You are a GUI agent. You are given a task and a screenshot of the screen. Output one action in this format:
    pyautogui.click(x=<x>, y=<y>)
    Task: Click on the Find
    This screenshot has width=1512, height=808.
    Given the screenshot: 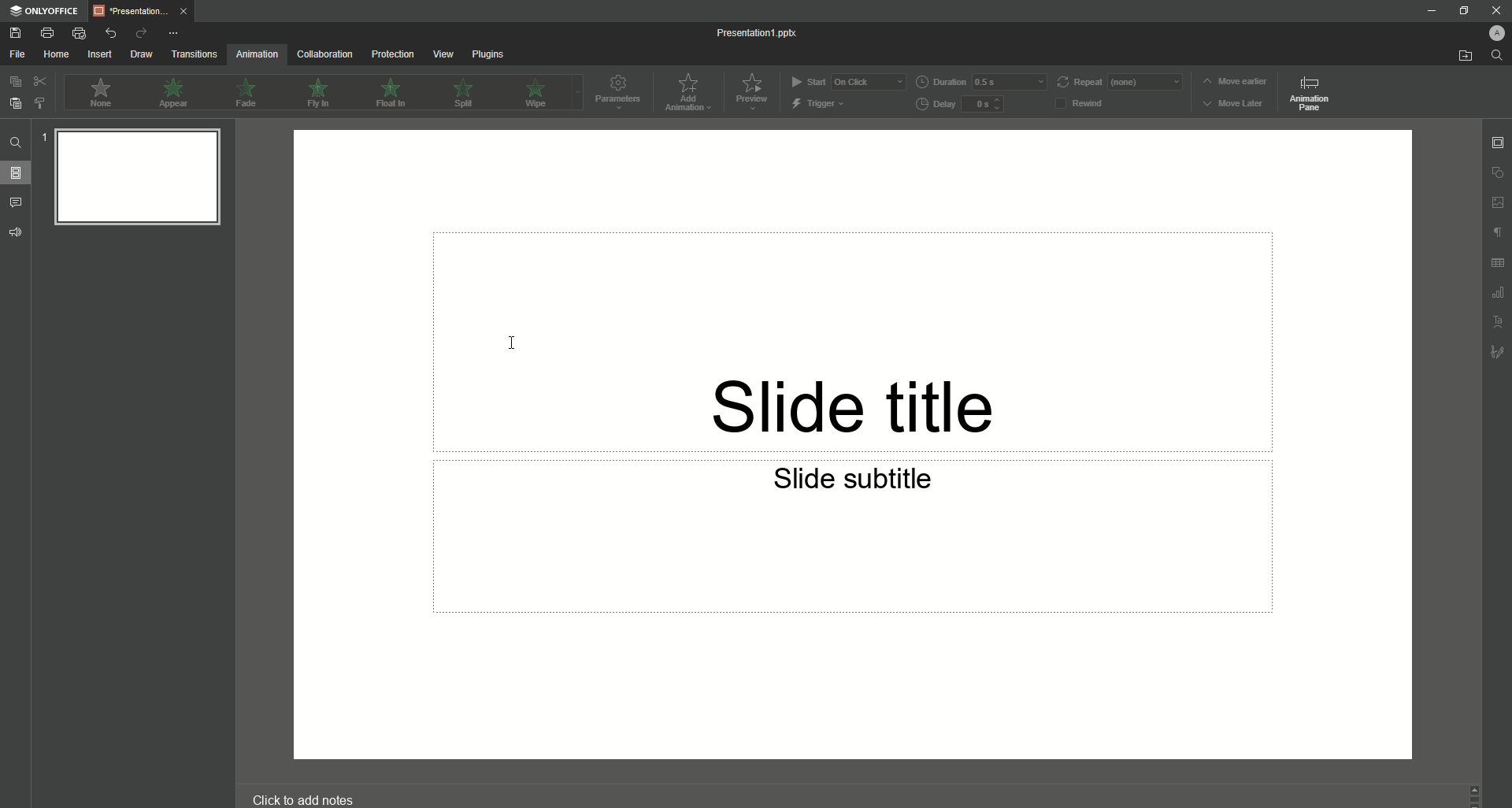 What is the action you would take?
    pyautogui.click(x=1497, y=56)
    